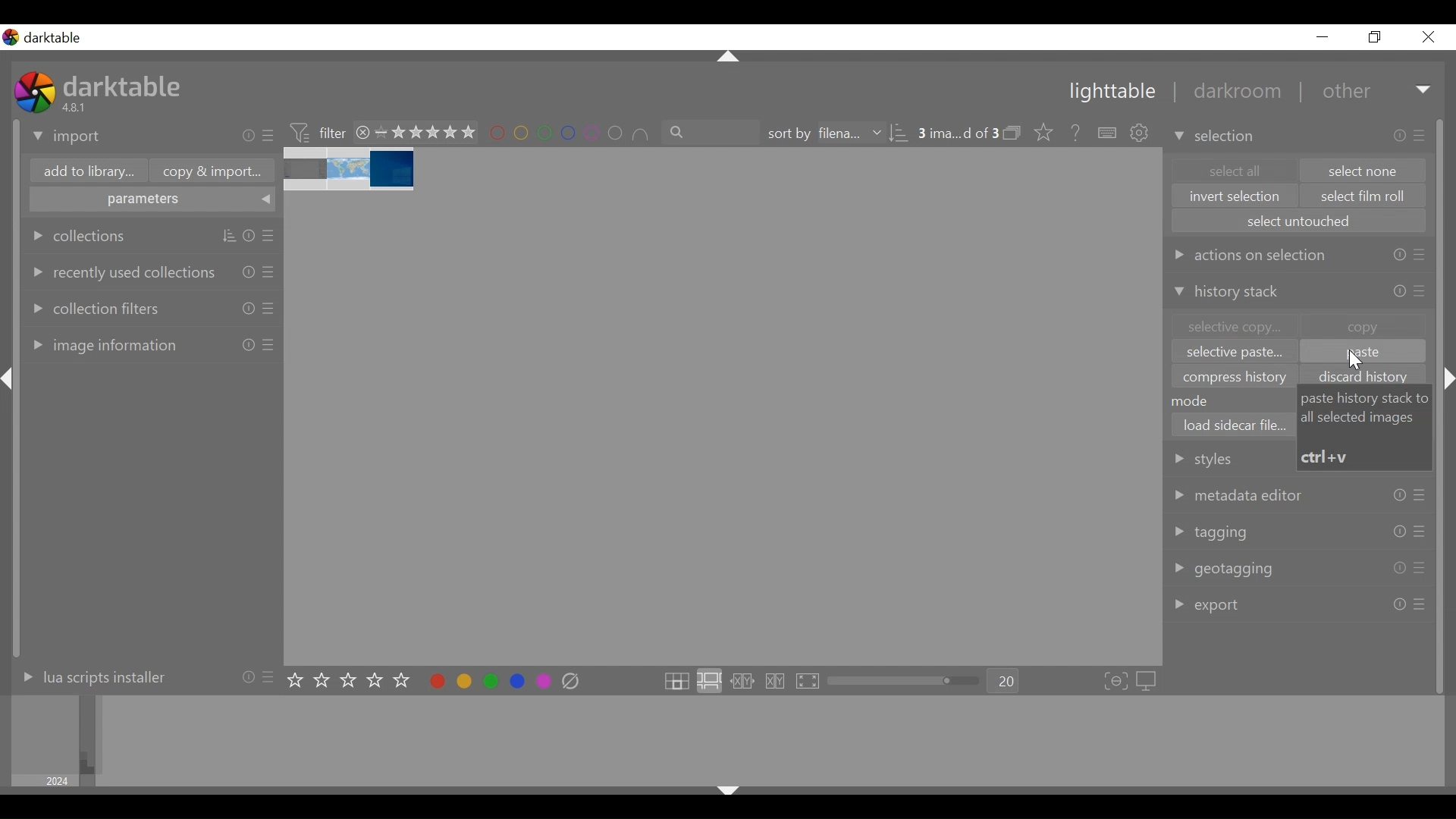  I want to click on Collapse , so click(11, 379).